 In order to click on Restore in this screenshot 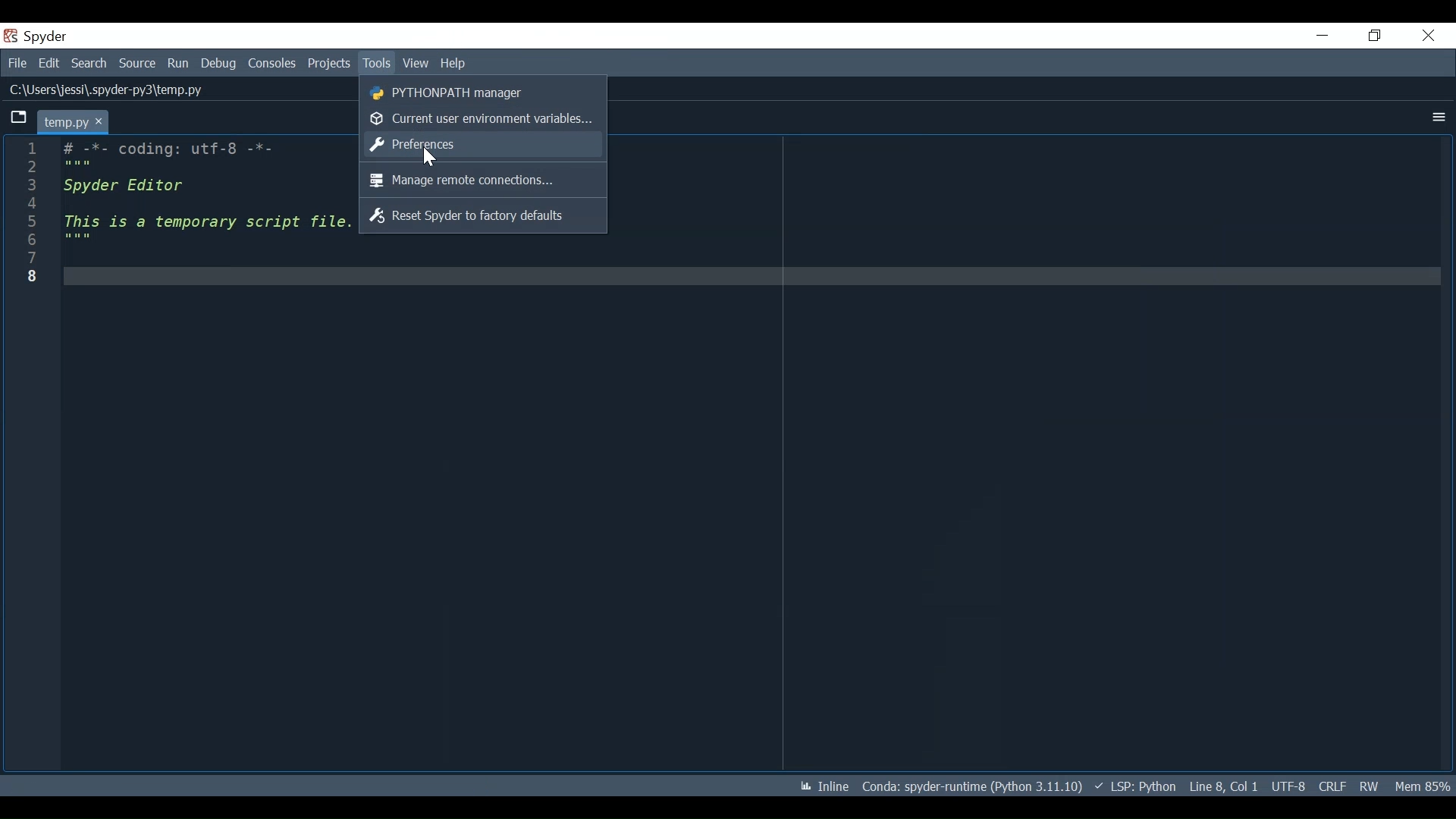, I will do `click(1373, 36)`.